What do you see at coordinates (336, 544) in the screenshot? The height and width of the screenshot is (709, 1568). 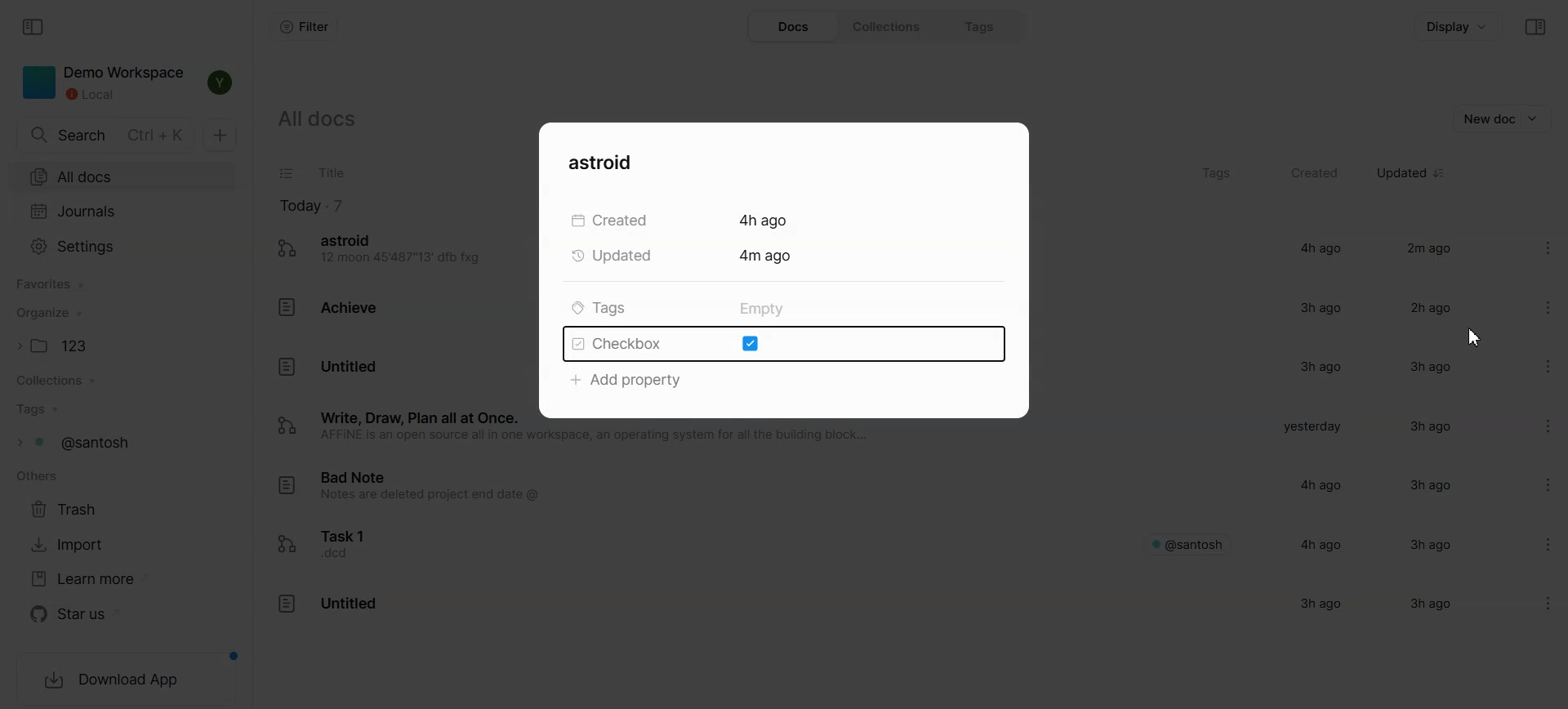 I see `Task 1
no` at bounding box center [336, 544].